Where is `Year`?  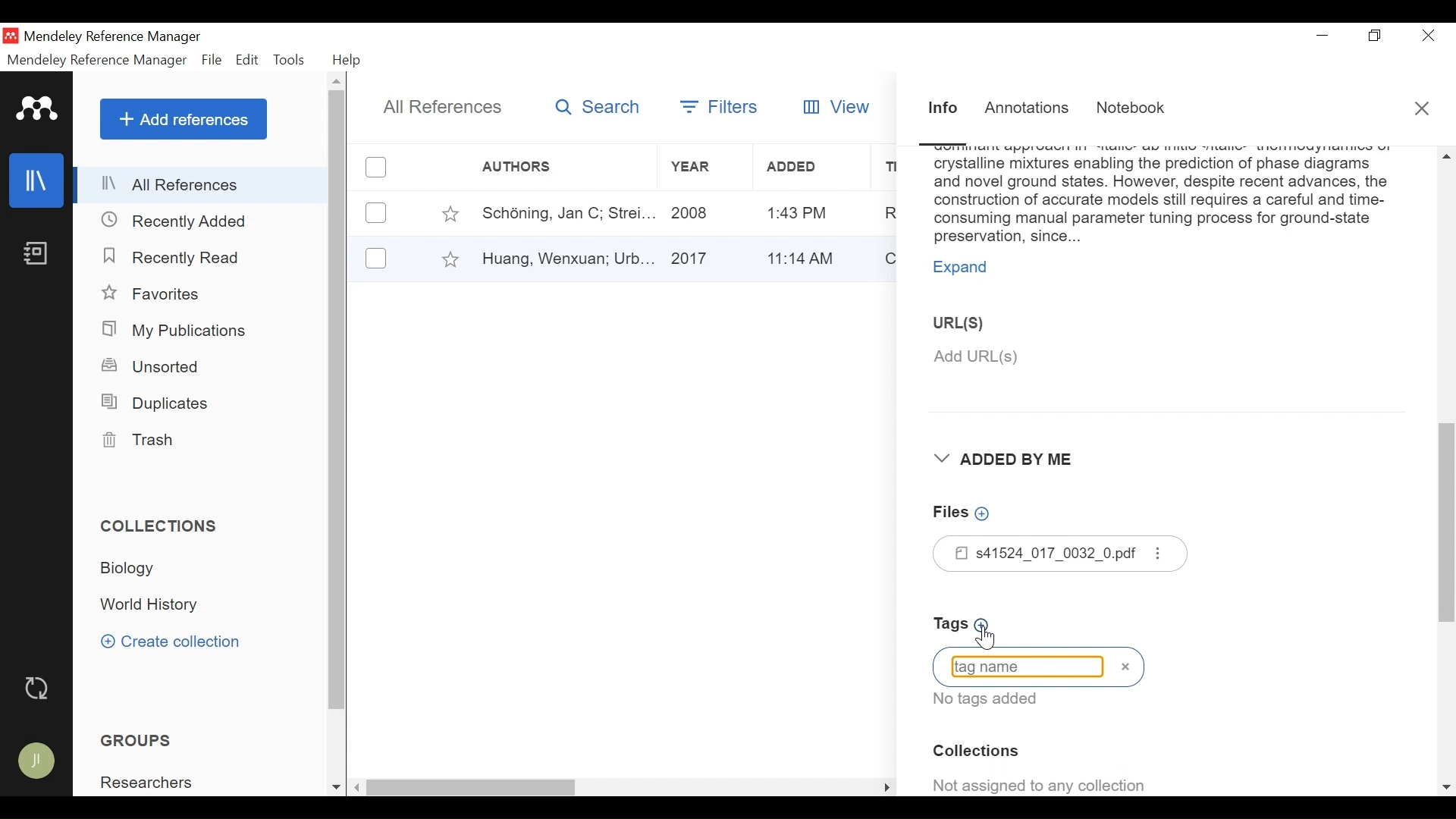 Year is located at coordinates (703, 212).